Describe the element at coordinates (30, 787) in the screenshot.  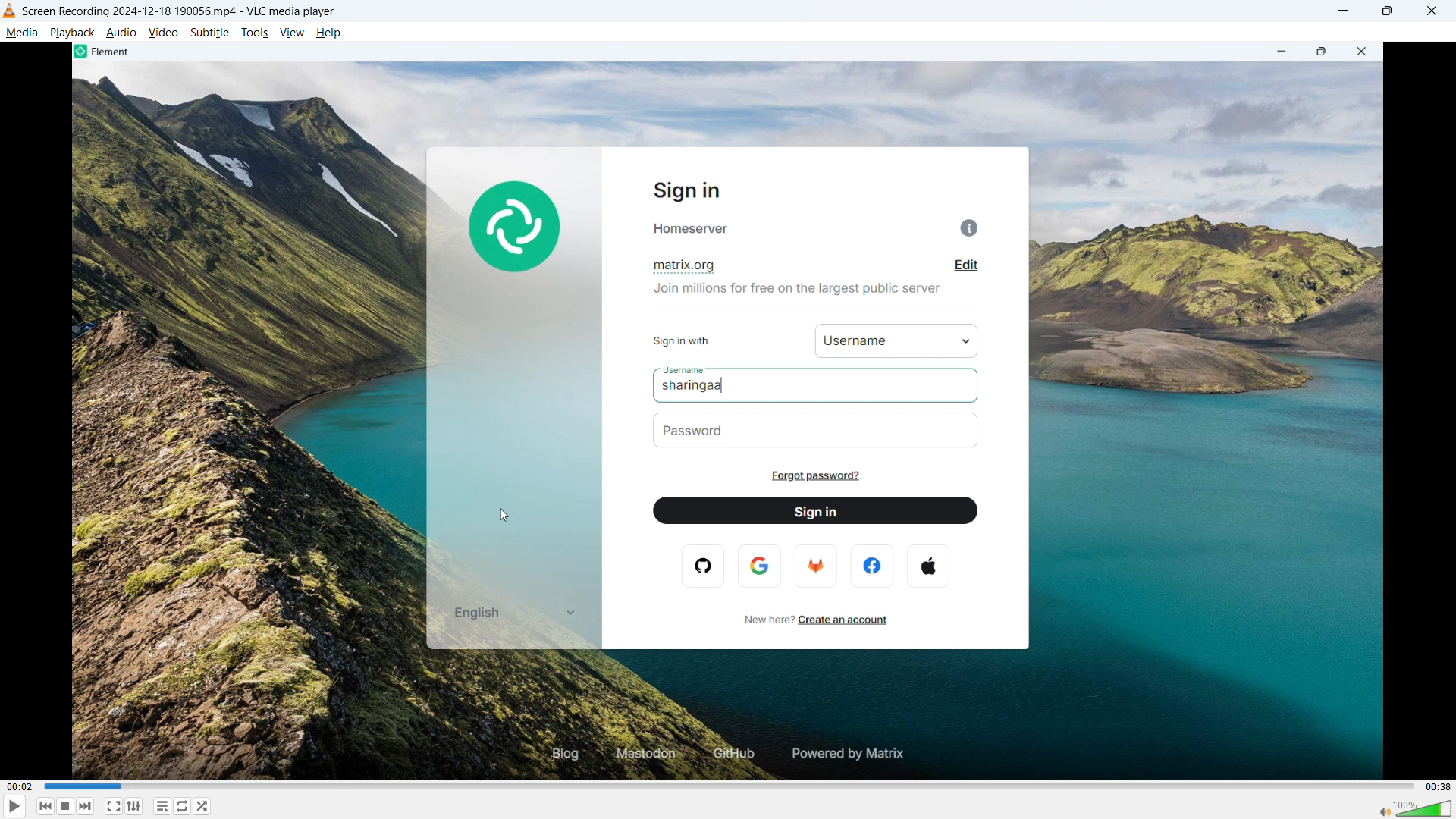
I see `00:02` at that location.